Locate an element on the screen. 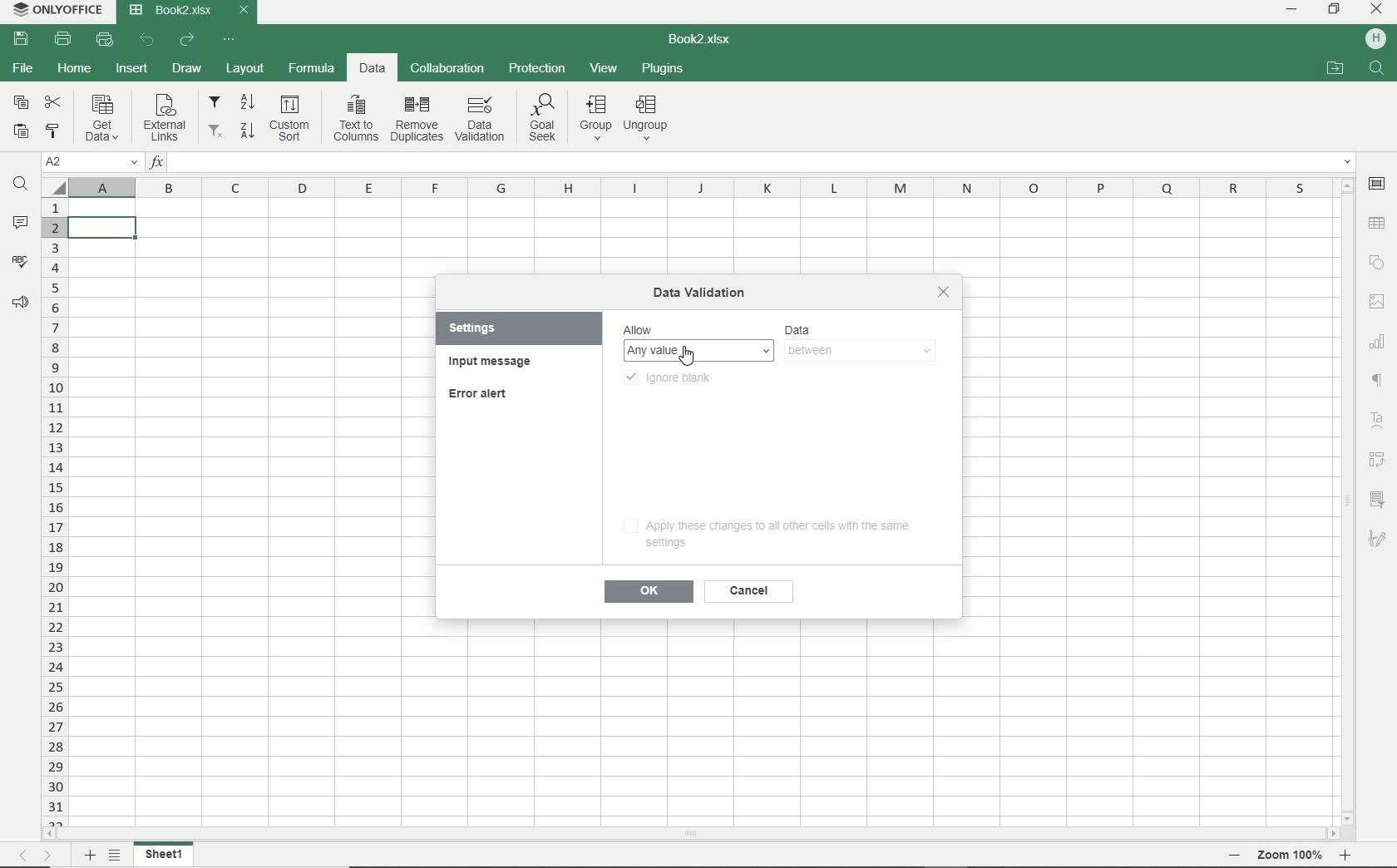 This screenshot has height=868, width=1397. COMMENTS is located at coordinates (18, 224).